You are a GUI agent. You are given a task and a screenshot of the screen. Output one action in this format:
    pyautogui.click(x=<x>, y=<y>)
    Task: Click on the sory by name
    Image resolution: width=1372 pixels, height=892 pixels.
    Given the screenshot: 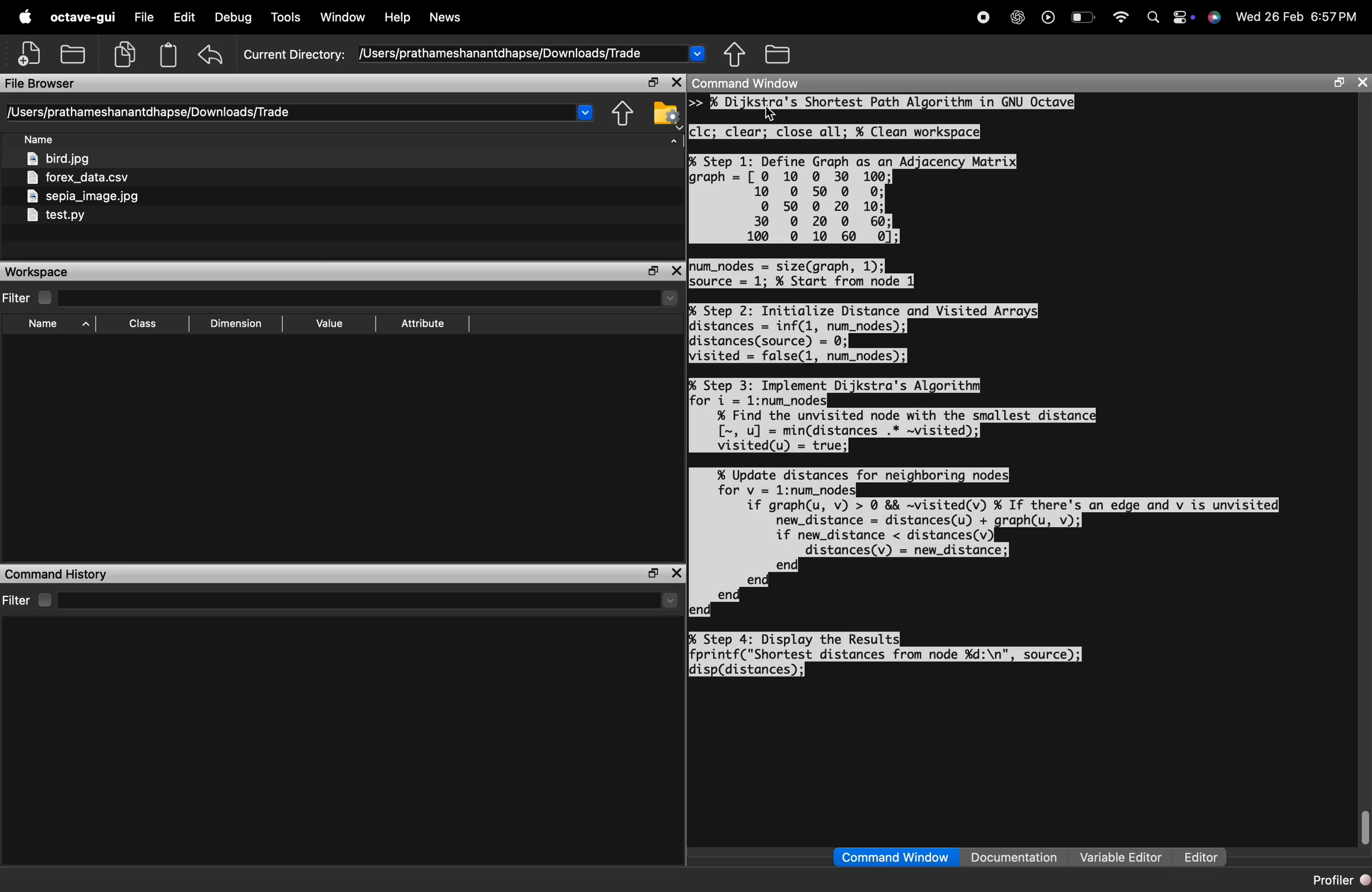 What is the action you would take?
    pyautogui.click(x=61, y=324)
    